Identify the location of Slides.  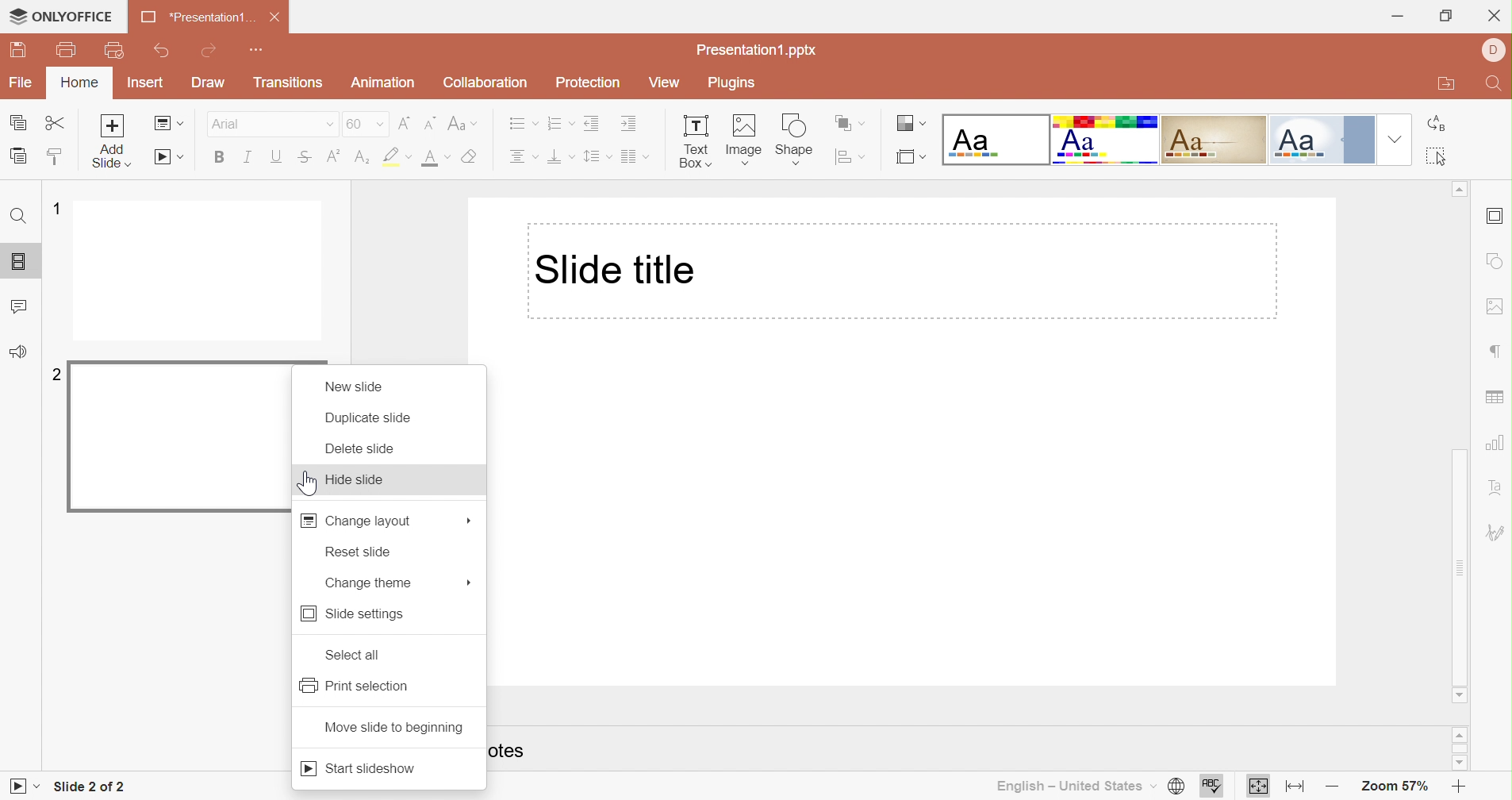
(18, 262).